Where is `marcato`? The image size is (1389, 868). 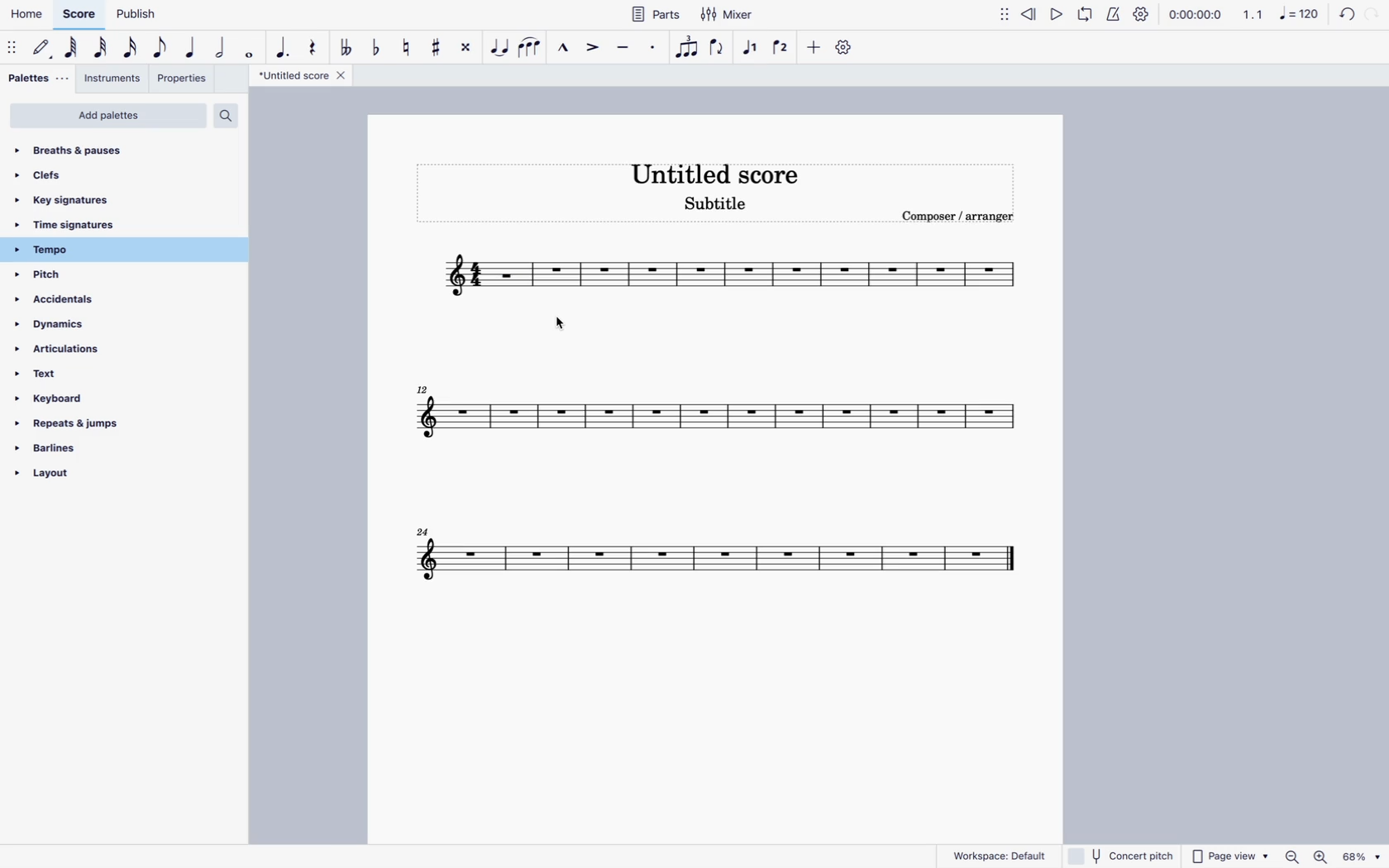
marcato is located at coordinates (562, 50).